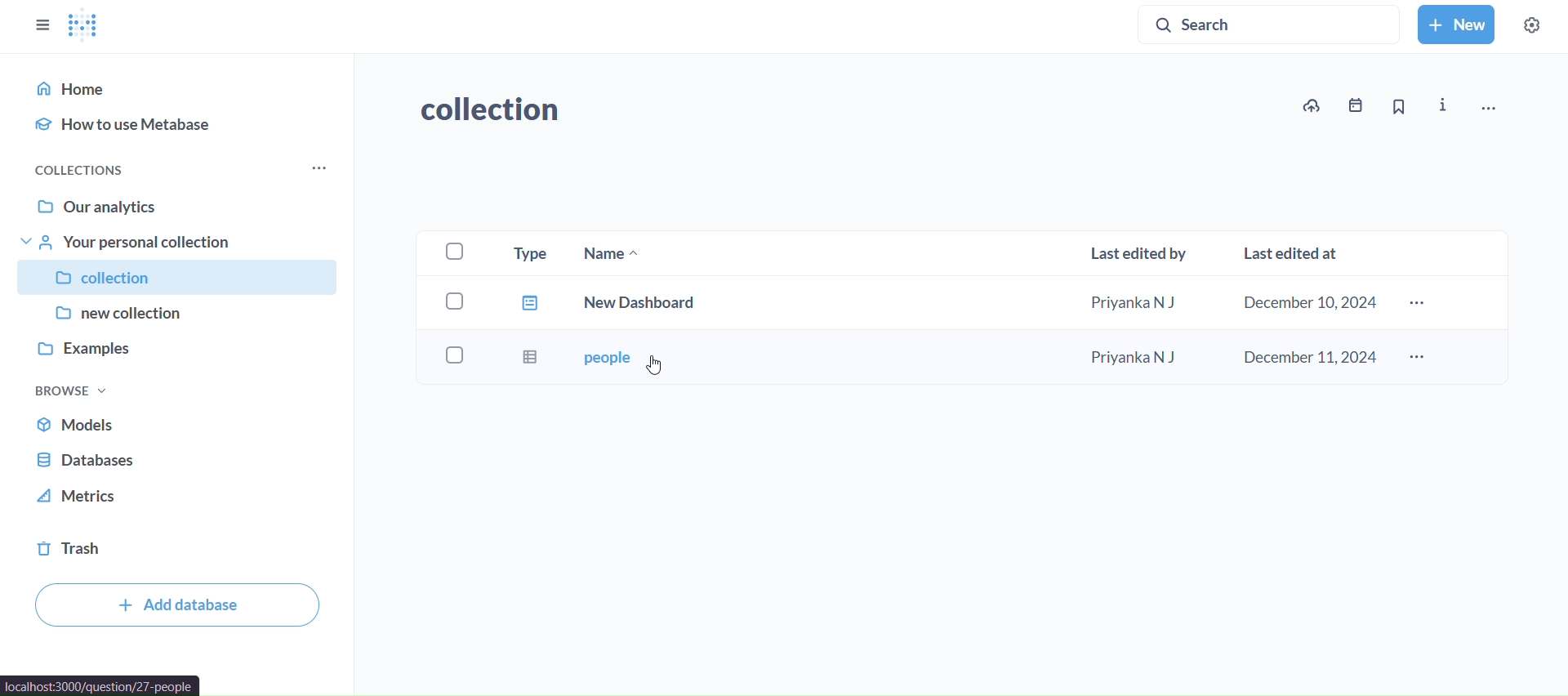 Image resolution: width=1568 pixels, height=696 pixels. What do you see at coordinates (180, 127) in the screenshot?
I see `how to use metabase` at bounding box center [180, 127].